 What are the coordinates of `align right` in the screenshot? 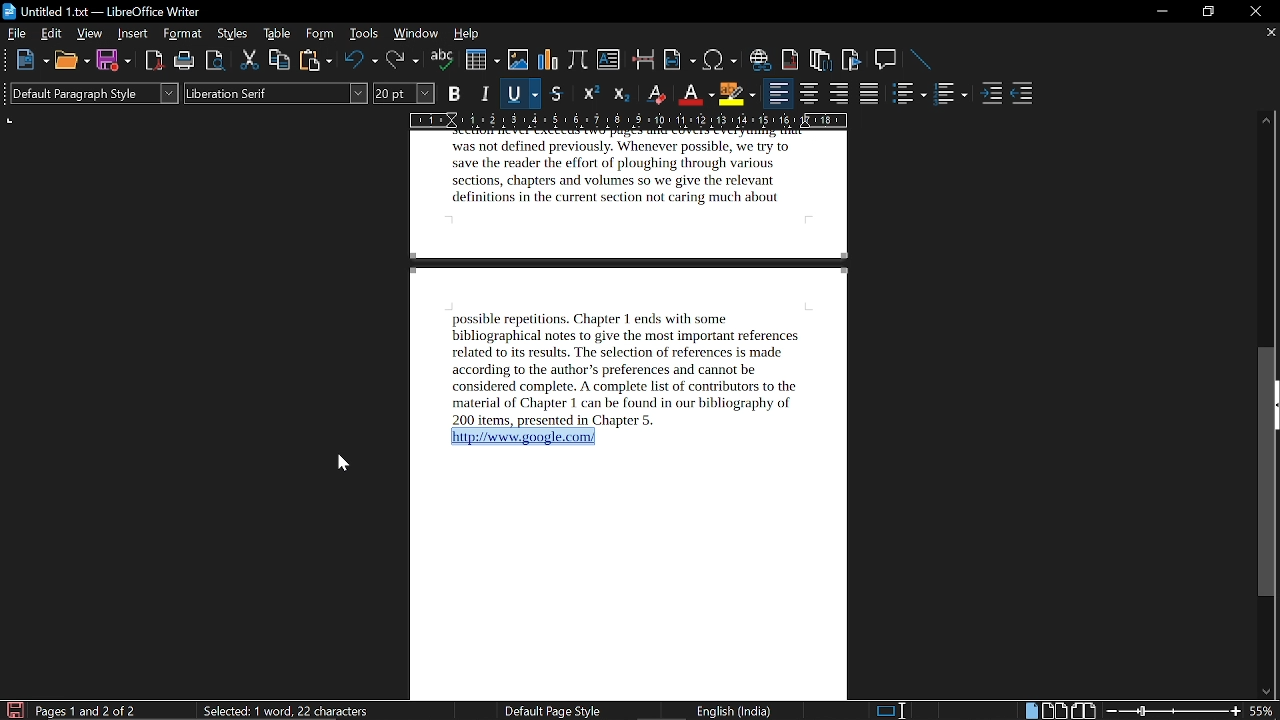 It's located at (839, 95).